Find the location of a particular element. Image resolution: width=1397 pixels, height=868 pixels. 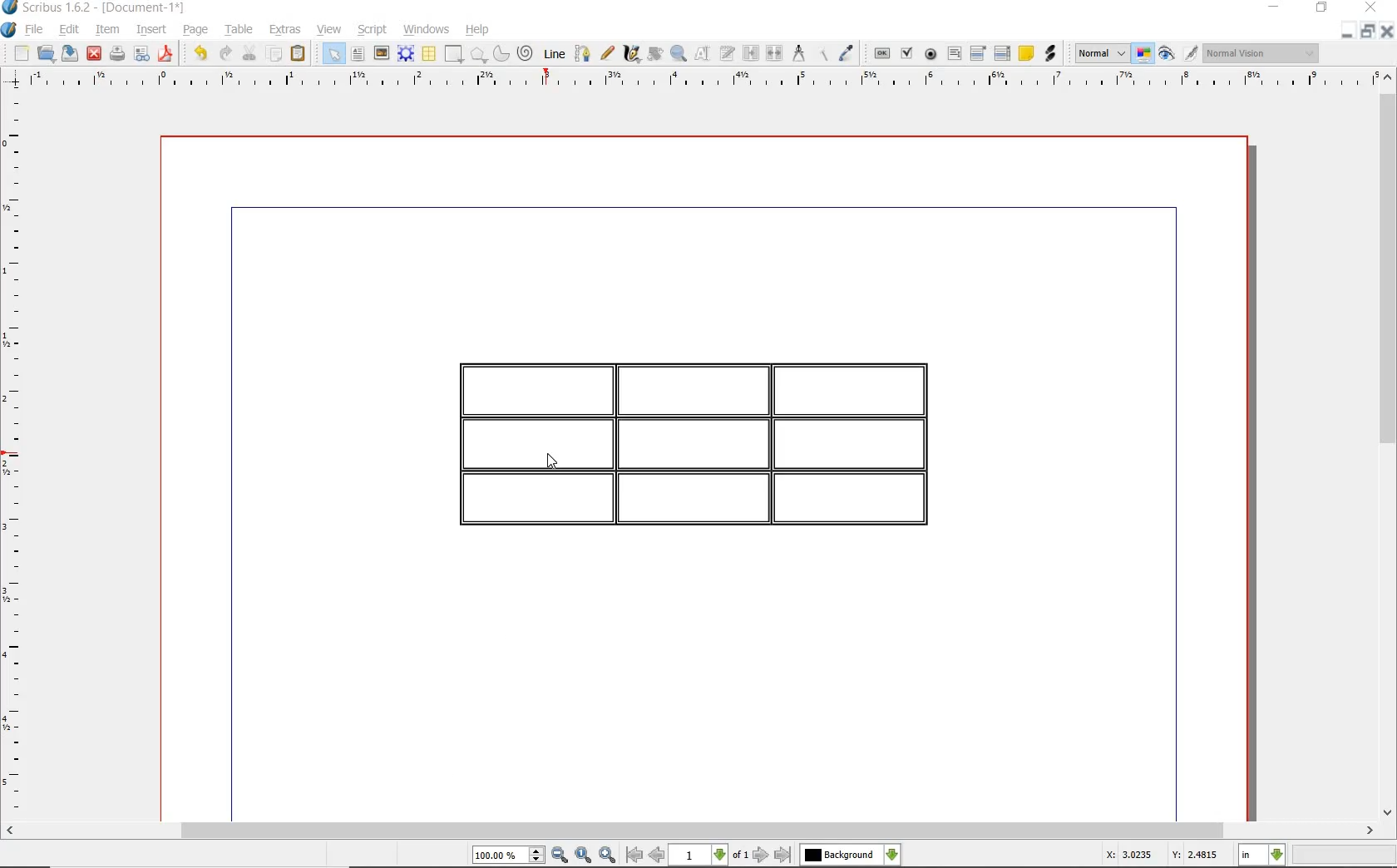

go to previous page is located at coordinates (657, 856).